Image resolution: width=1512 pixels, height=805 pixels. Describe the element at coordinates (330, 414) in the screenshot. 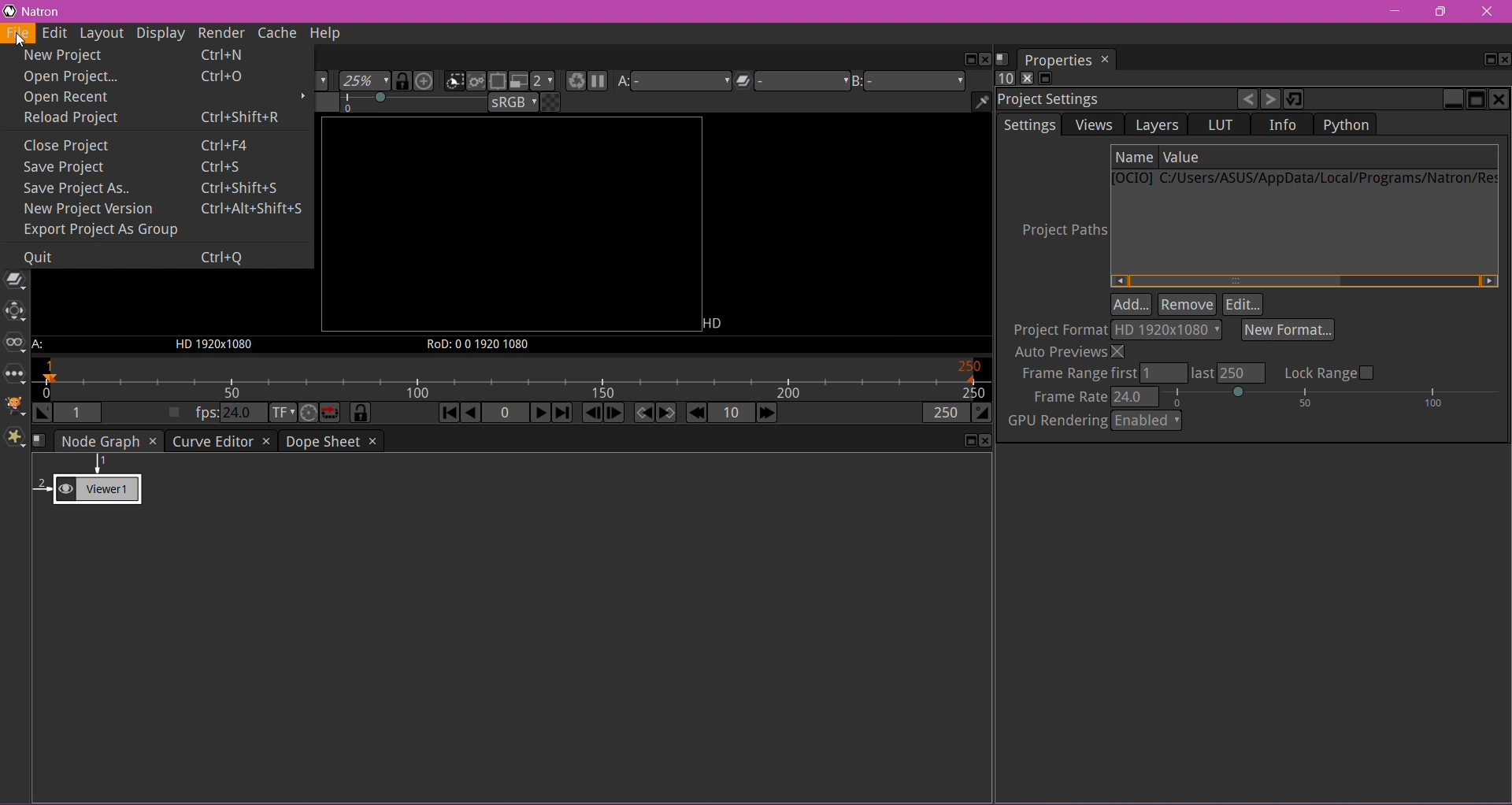

I see `Behavior to adopt when the playback hit the end og the range` at that location.